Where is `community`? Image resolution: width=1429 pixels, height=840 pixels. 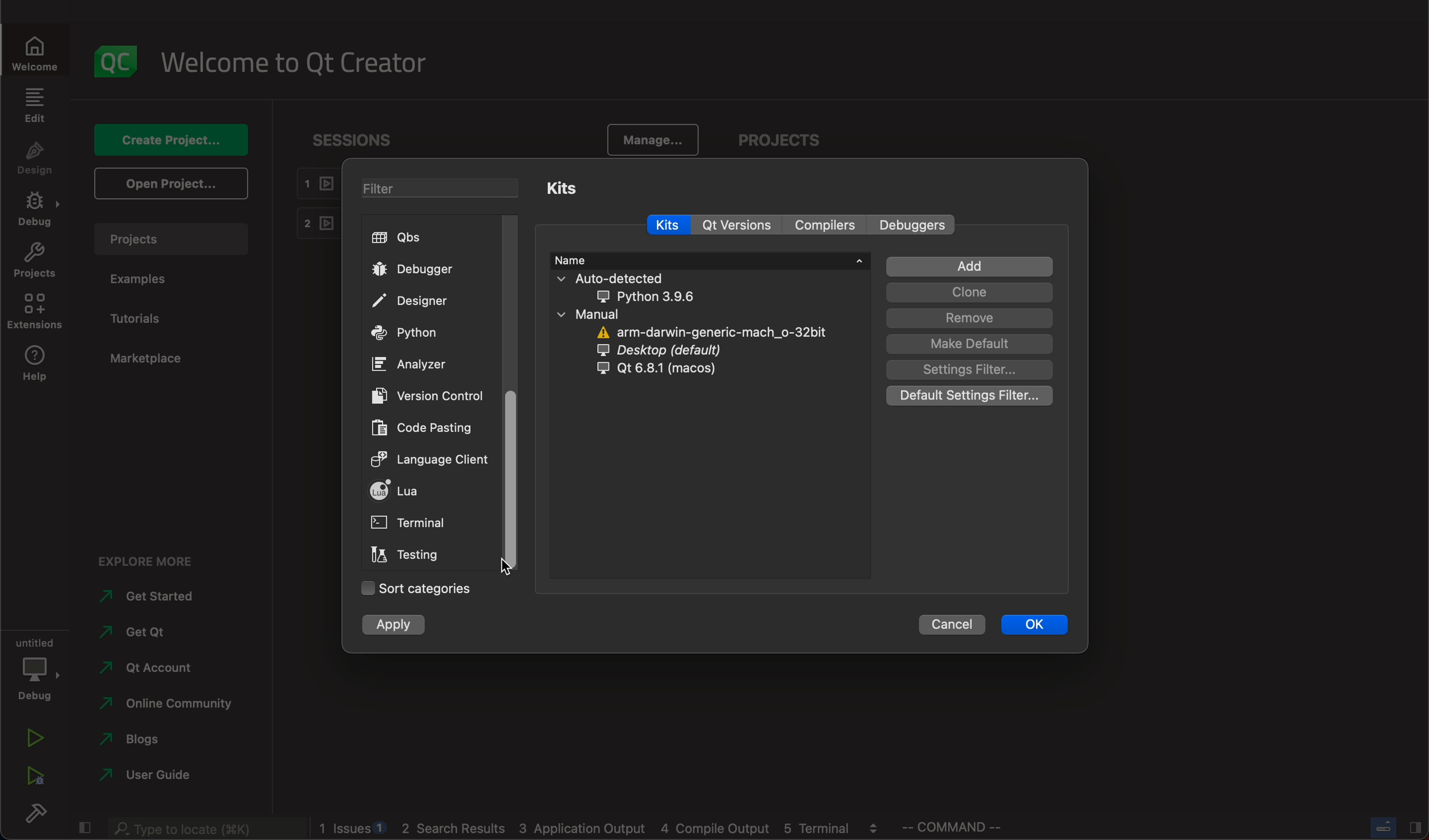 community is located at coordinates (173, 707).